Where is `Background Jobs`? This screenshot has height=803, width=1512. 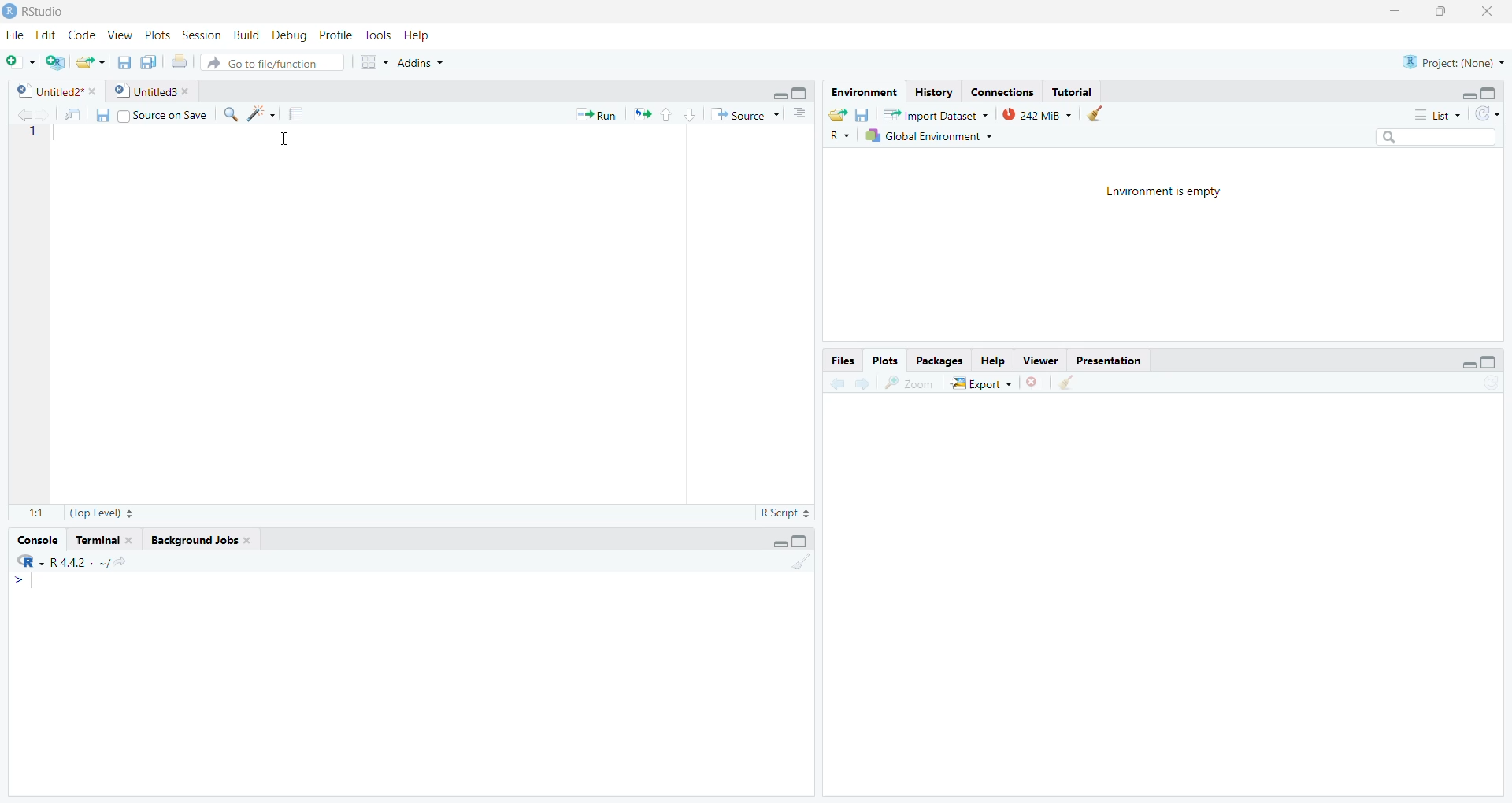 Background Jobs is located at coordinates (201, 540).